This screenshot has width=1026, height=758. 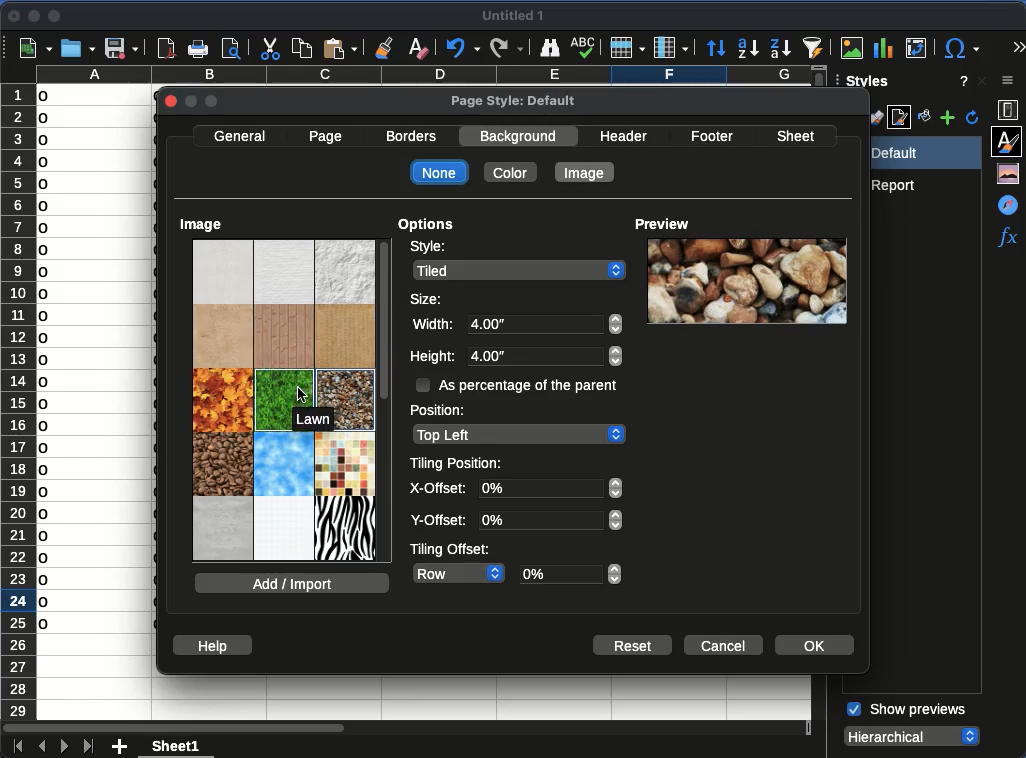 What do you see at coordinates (518, 435) in the screenshot?
I see `top left` at bounding box center [518, 435].